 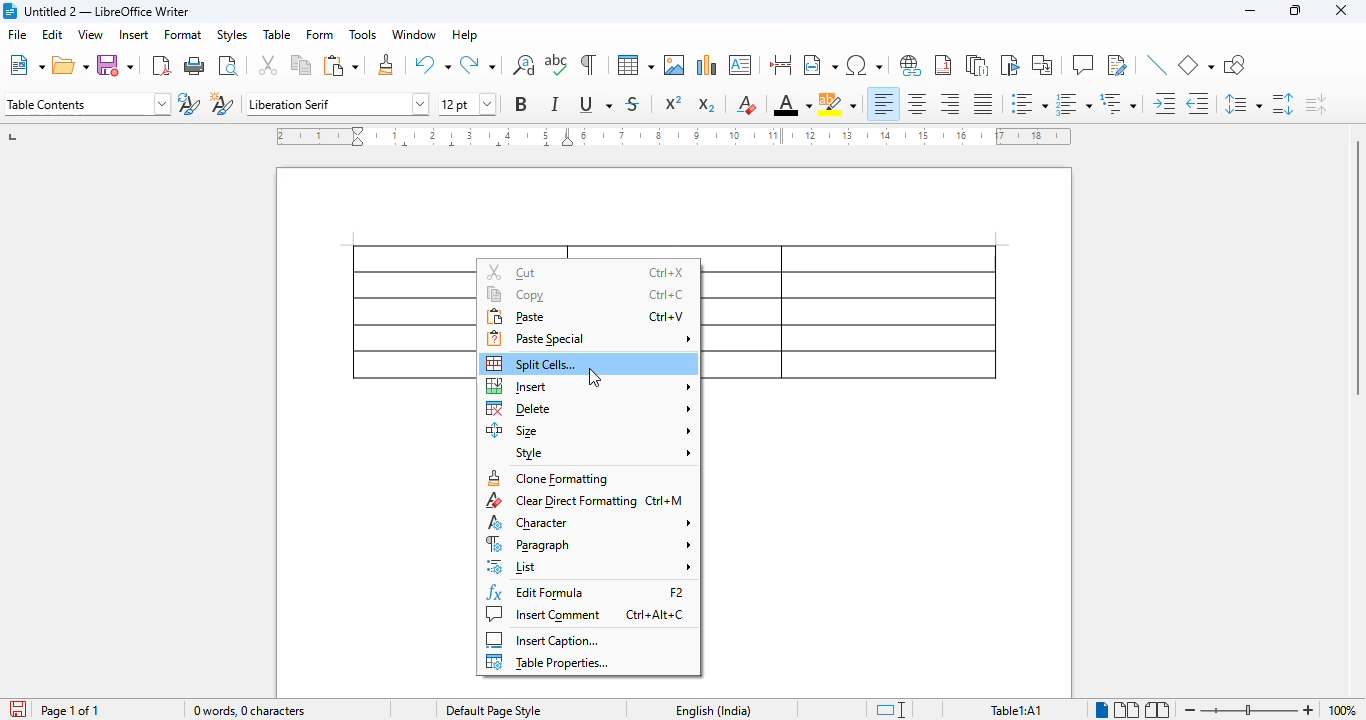 What do you see at coordinates (1249, 710) in the screenshot?
I see `` at bounding box center [1249, 710].